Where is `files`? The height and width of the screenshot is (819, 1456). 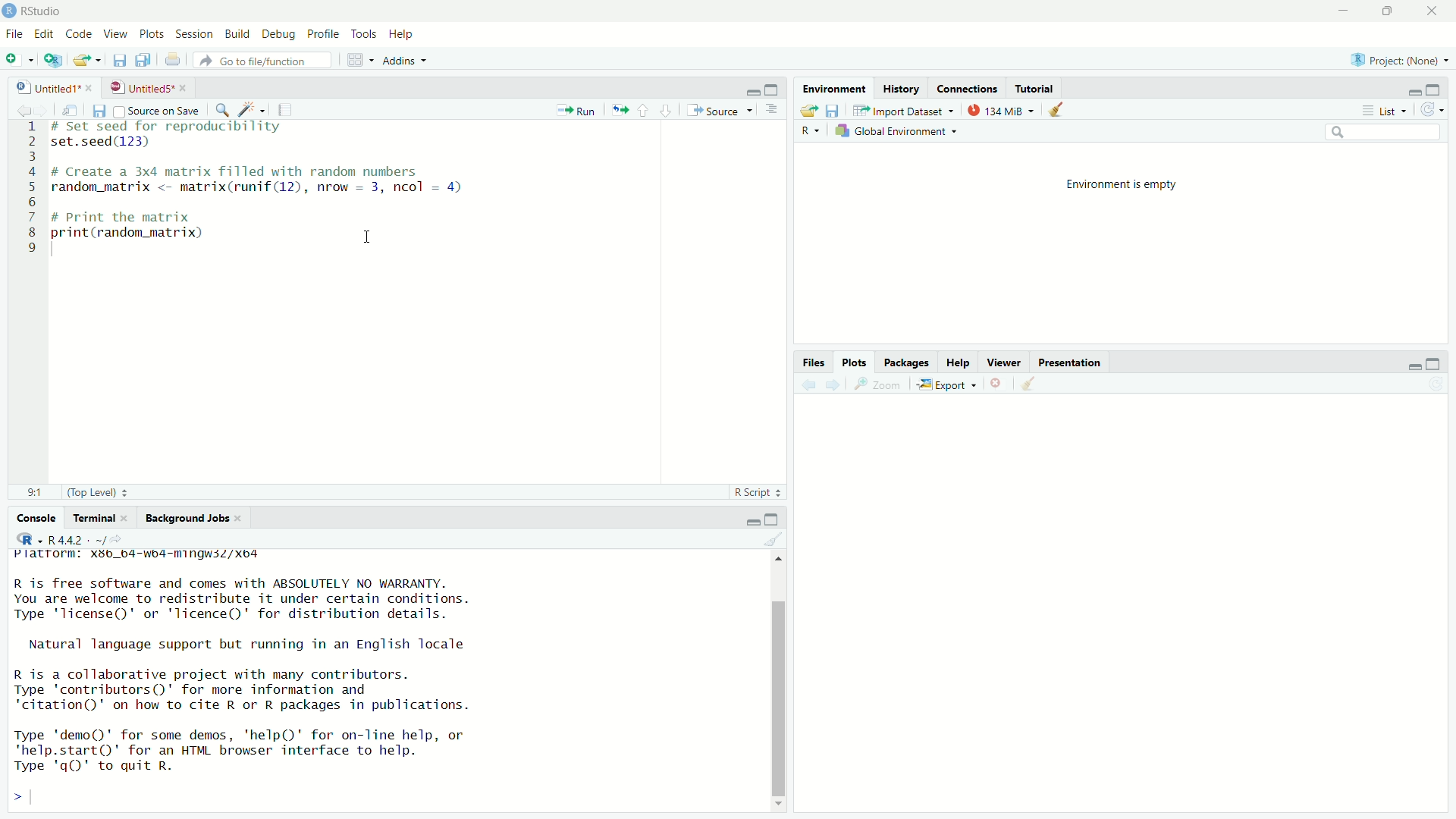
files is located at coordinates (116, 60).